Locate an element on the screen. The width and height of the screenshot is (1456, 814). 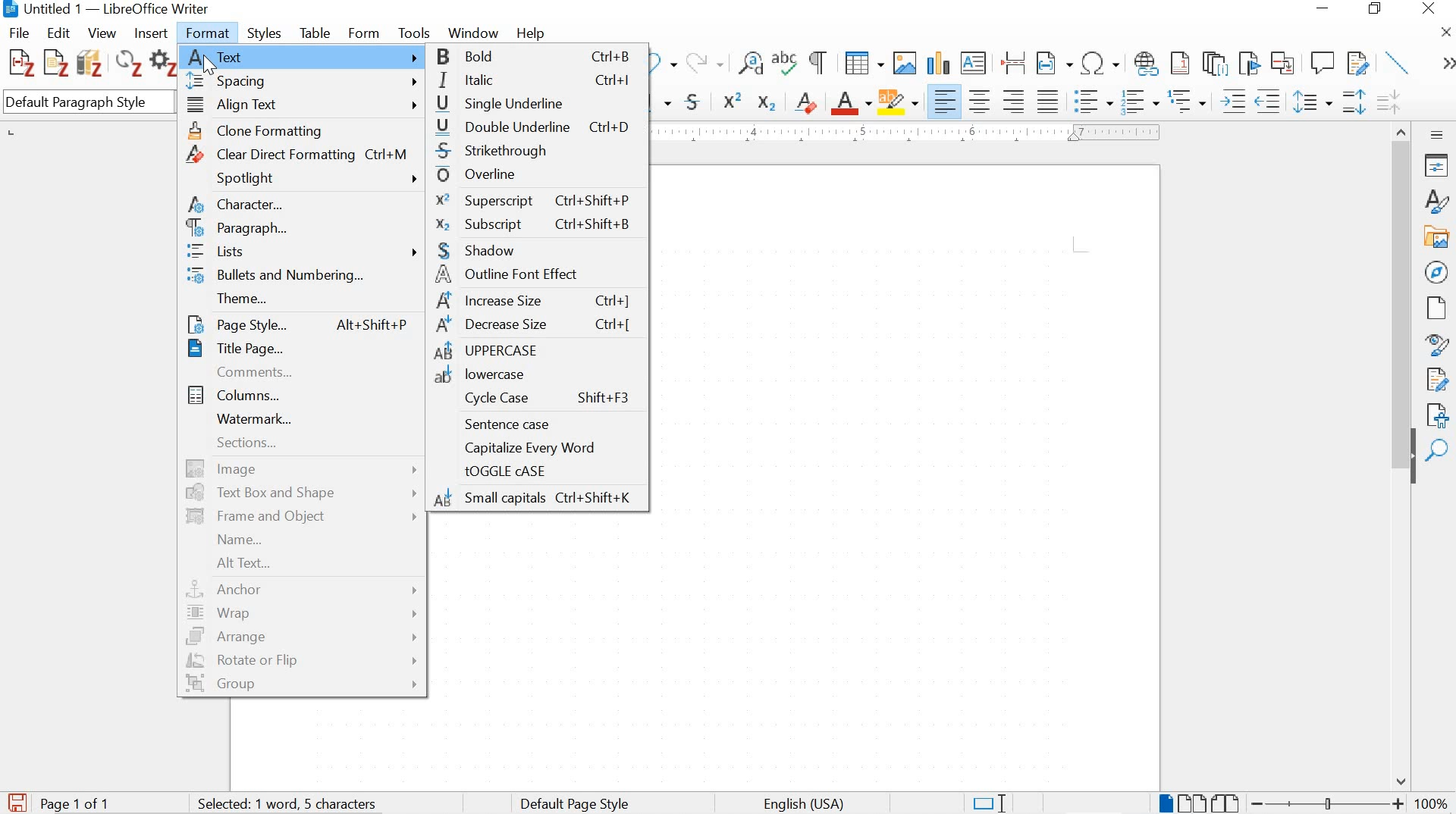
clear direct formatting  Ctrl+M is located at coordinates (305, 153).